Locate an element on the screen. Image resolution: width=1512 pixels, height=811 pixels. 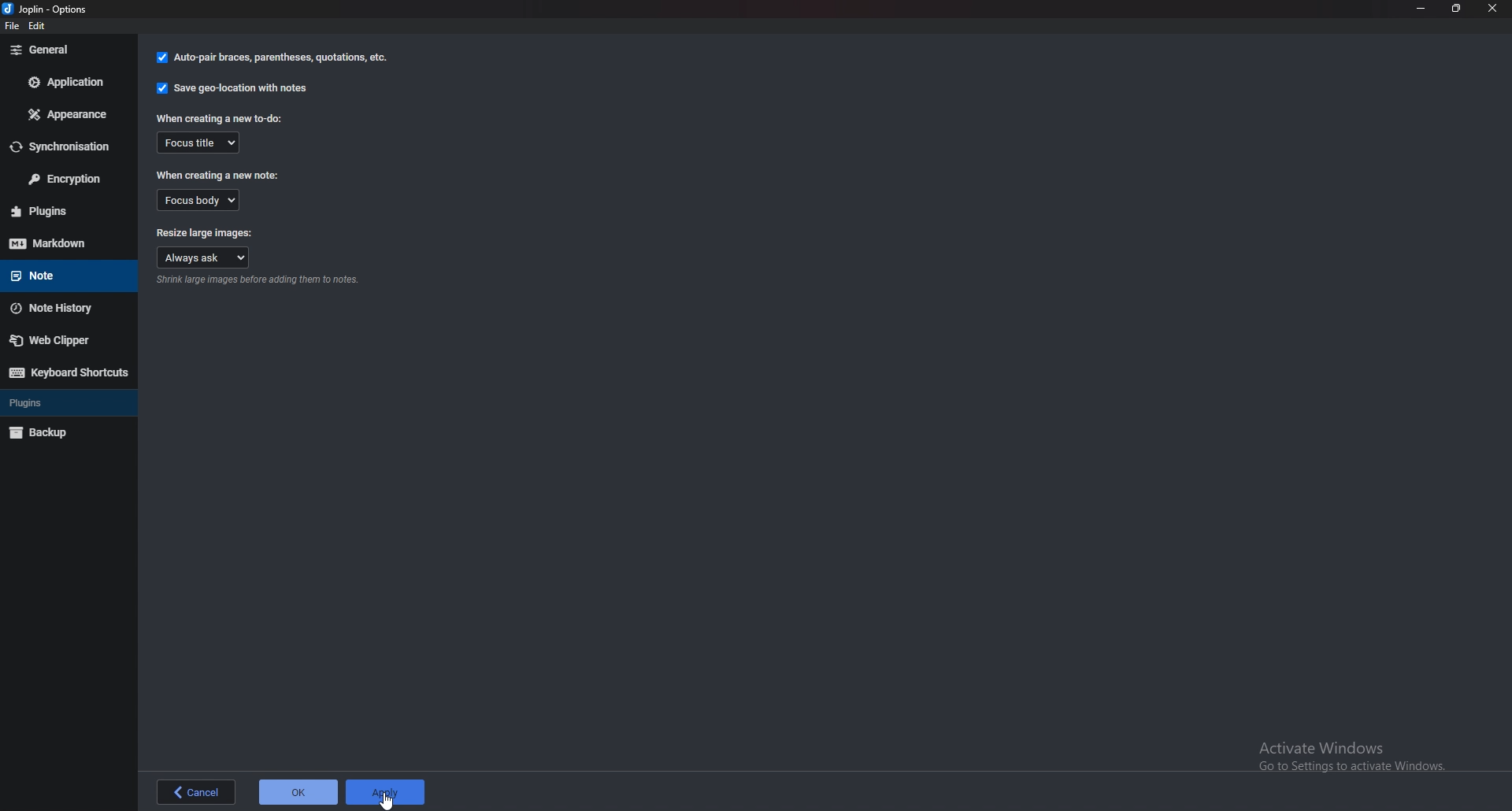
back is located at coordinates (196, 791).